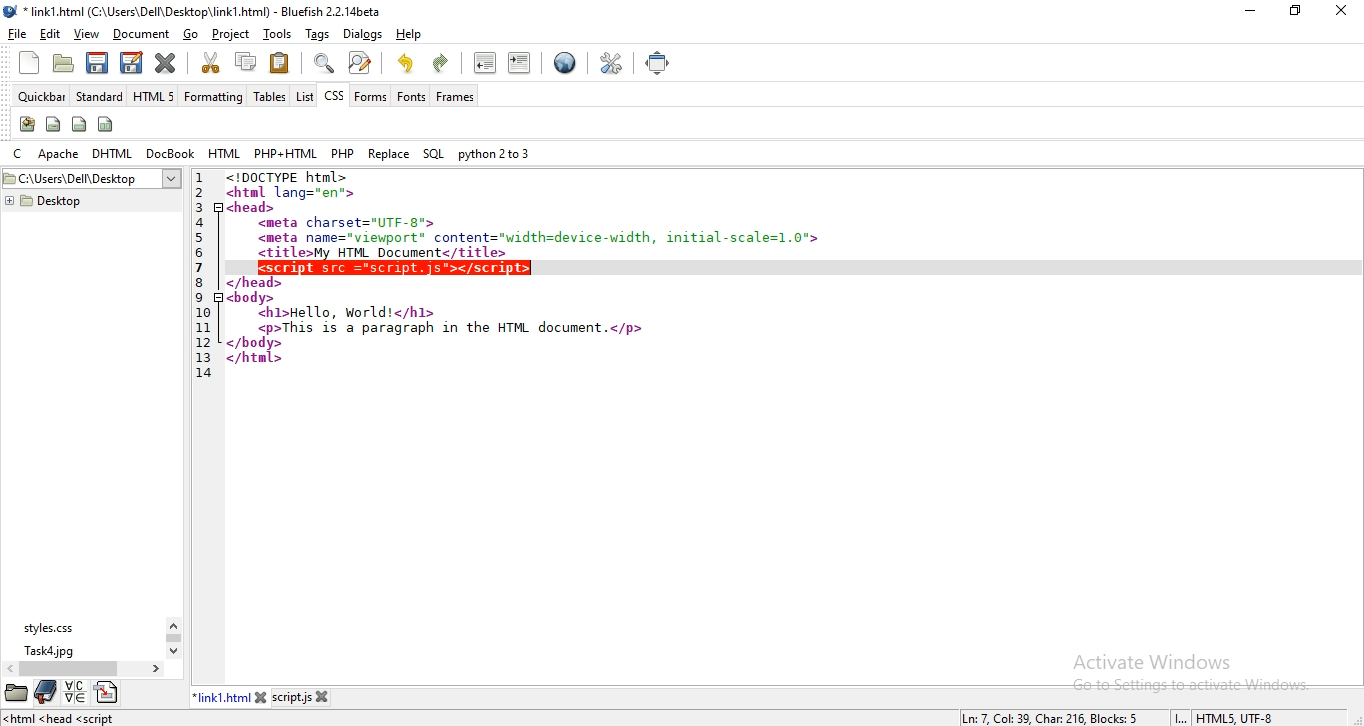 The height and width of the screenshot is (726, 1364). Describe the element at coordinates (454, 96) in the screenshot. I see `frames` at that location.